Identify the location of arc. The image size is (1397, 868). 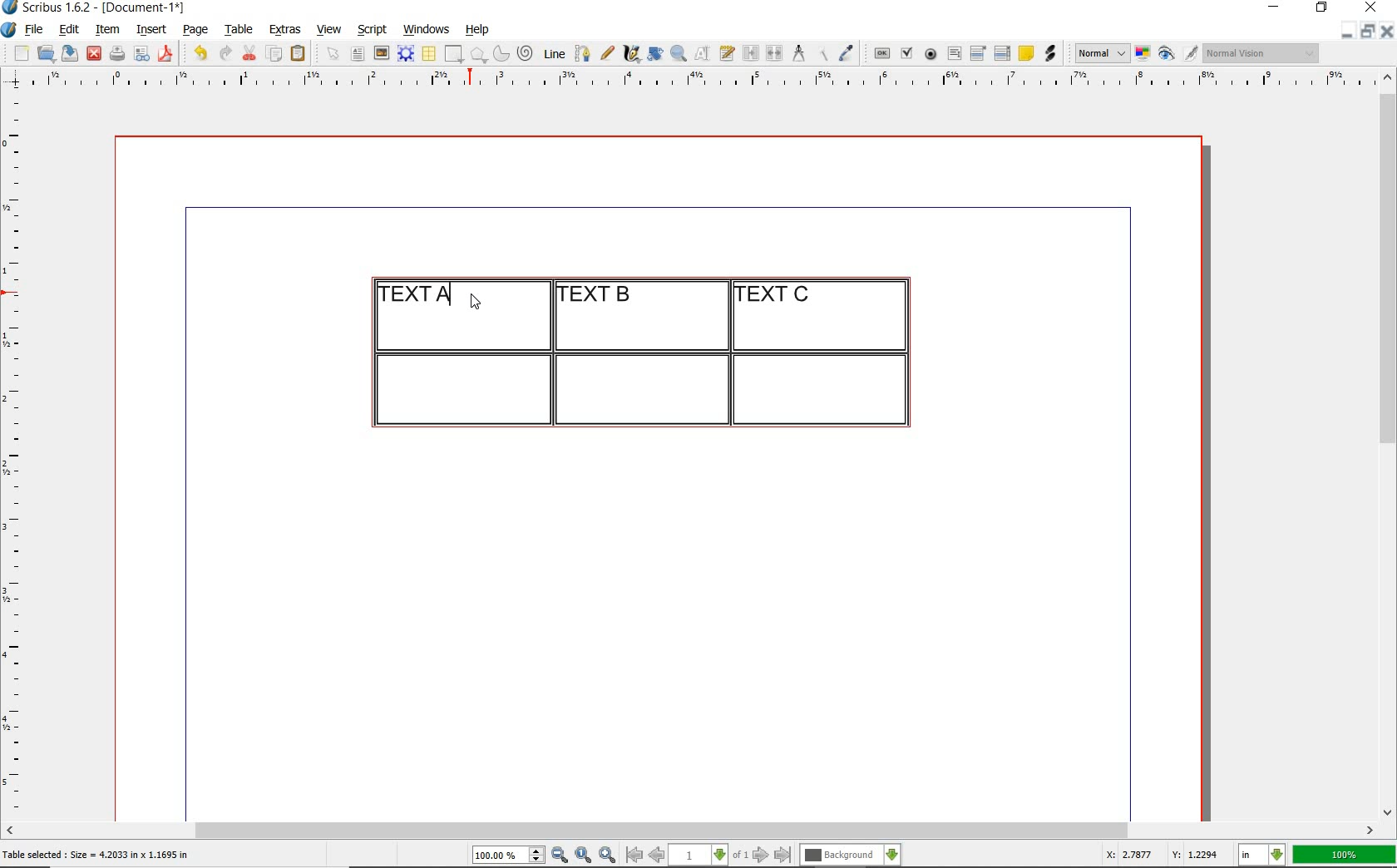
(501, 53).